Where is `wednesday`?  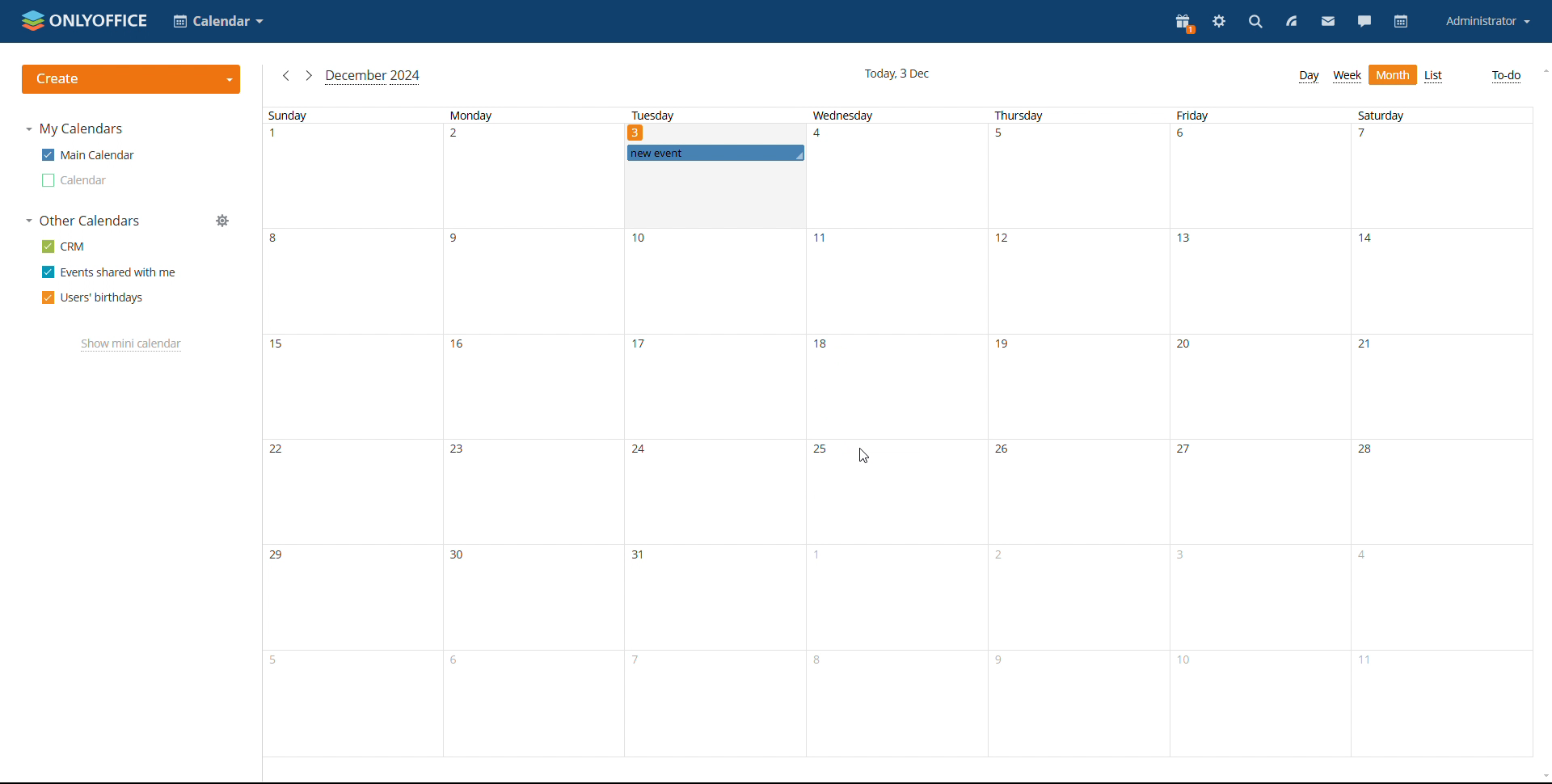 wednesday is located at coordinates (894, 432).